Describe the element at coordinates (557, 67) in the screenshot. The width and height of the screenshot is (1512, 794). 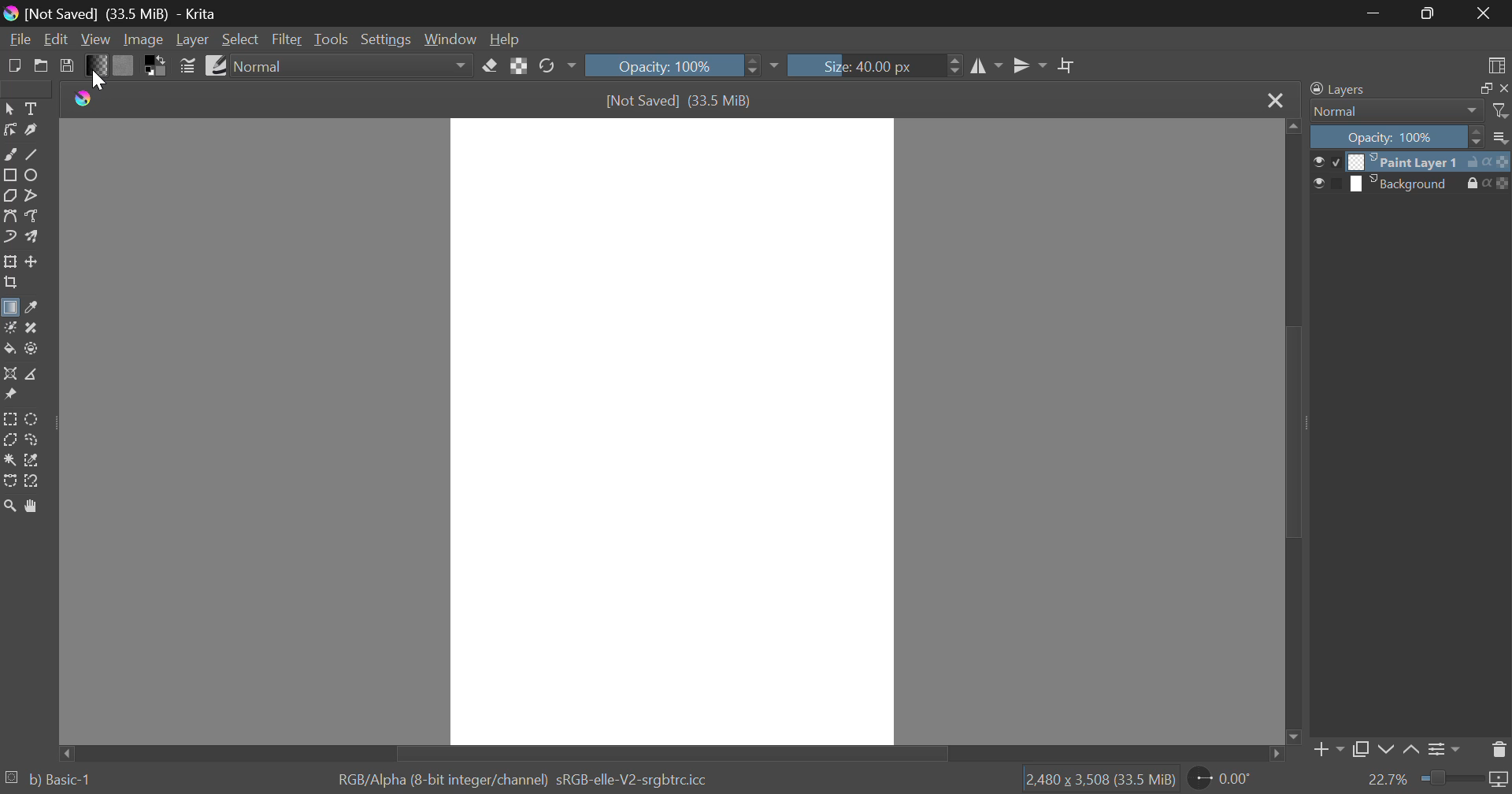
I see `Rotate` at that location.